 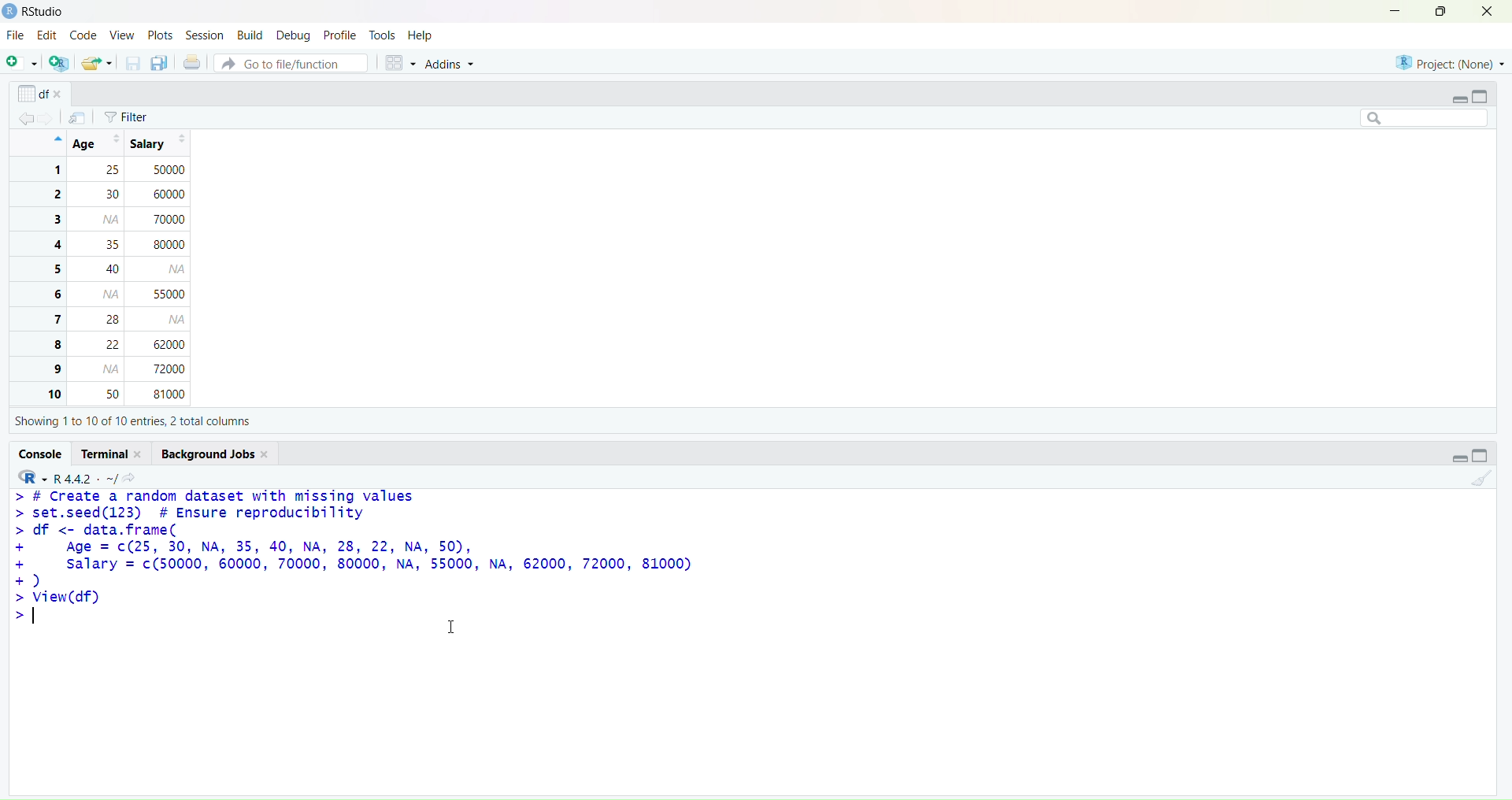 What do you see at coordinates (1435, 11) in the screenshot?
I see `maximize` at bounding box center [1435, 11].